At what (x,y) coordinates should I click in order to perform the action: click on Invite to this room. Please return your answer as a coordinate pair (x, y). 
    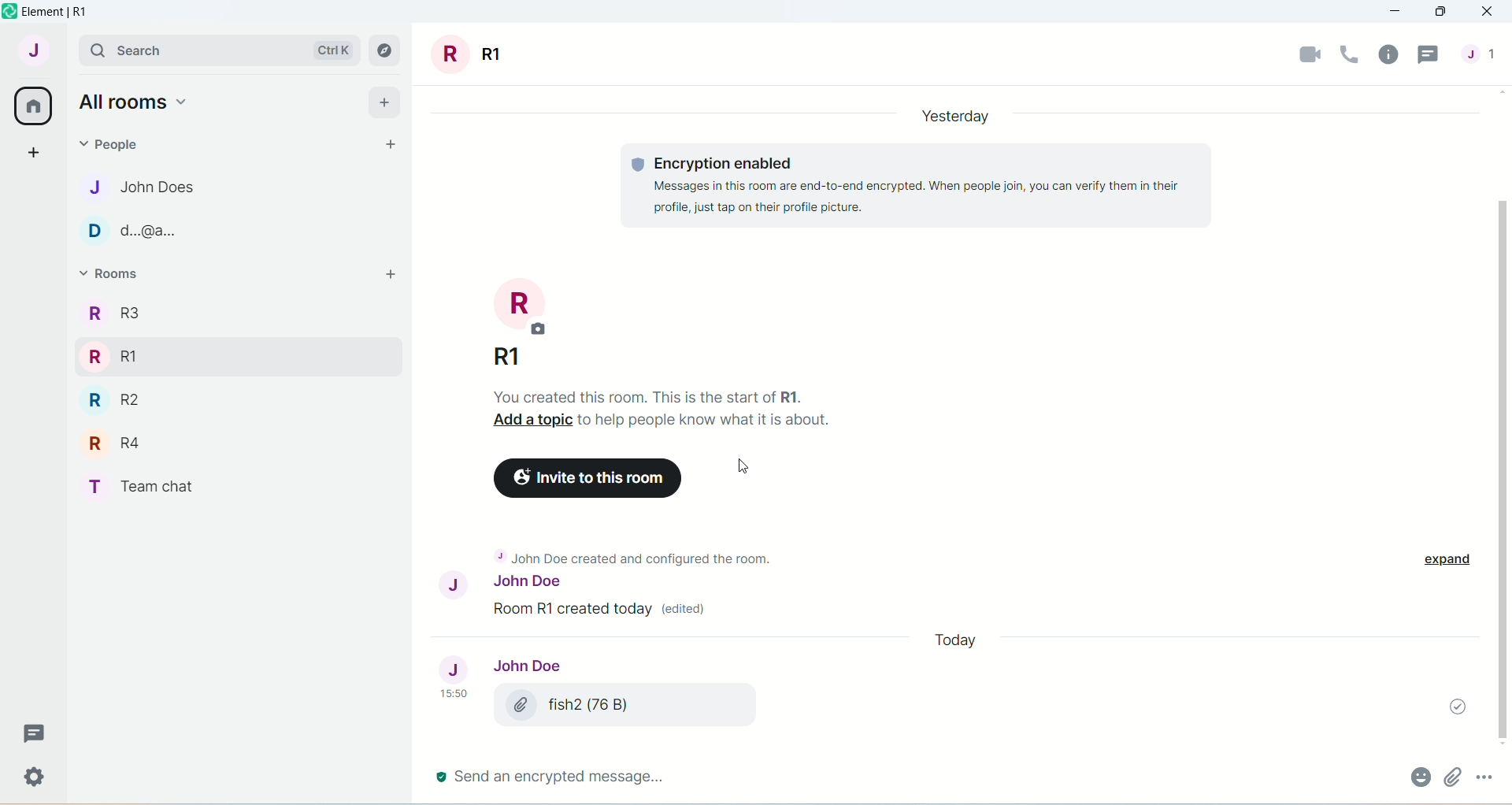
    Looking at the image, I should click on (589, 480).